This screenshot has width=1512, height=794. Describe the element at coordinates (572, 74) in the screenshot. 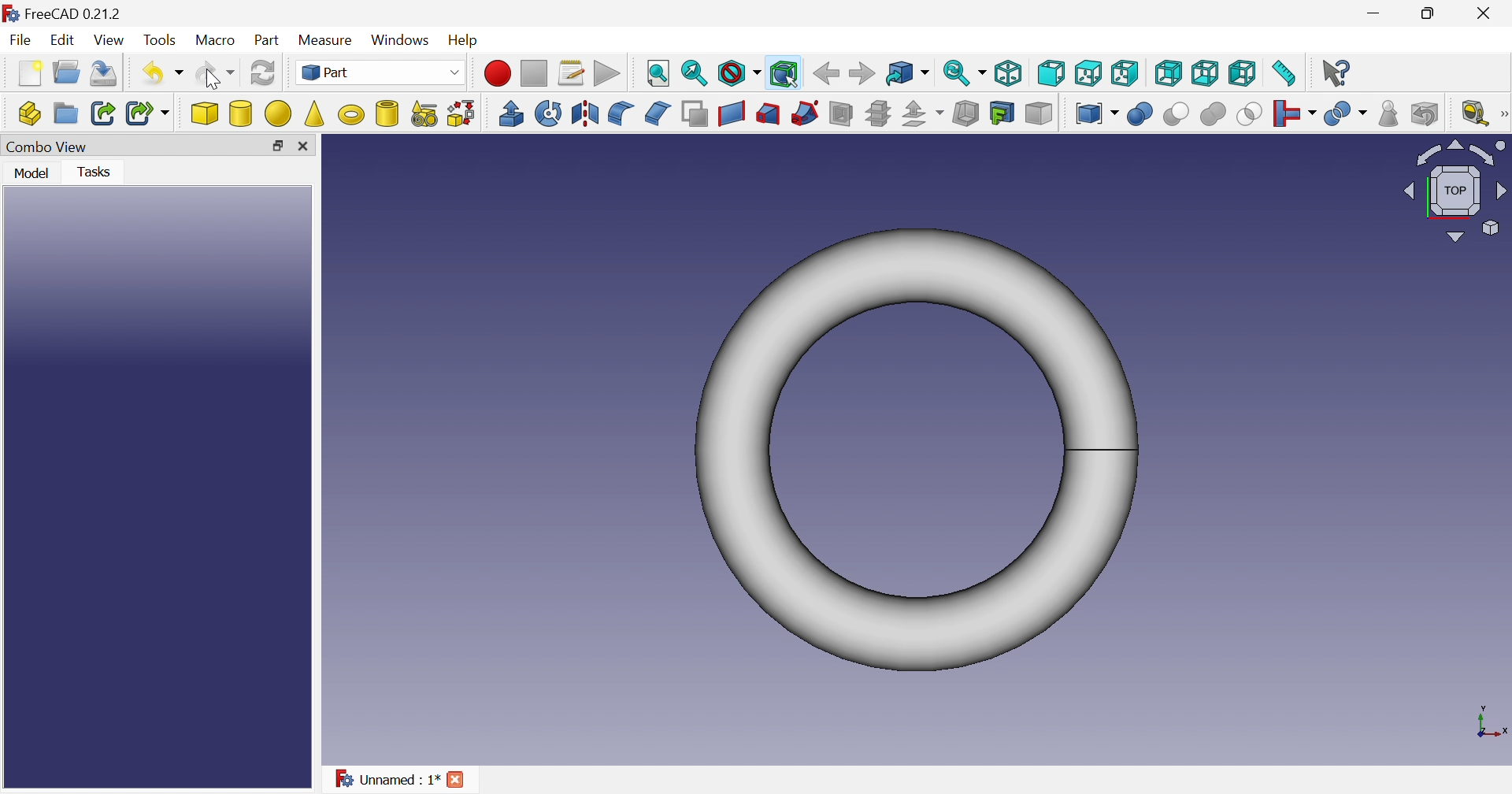

I see `Macros` at that location.